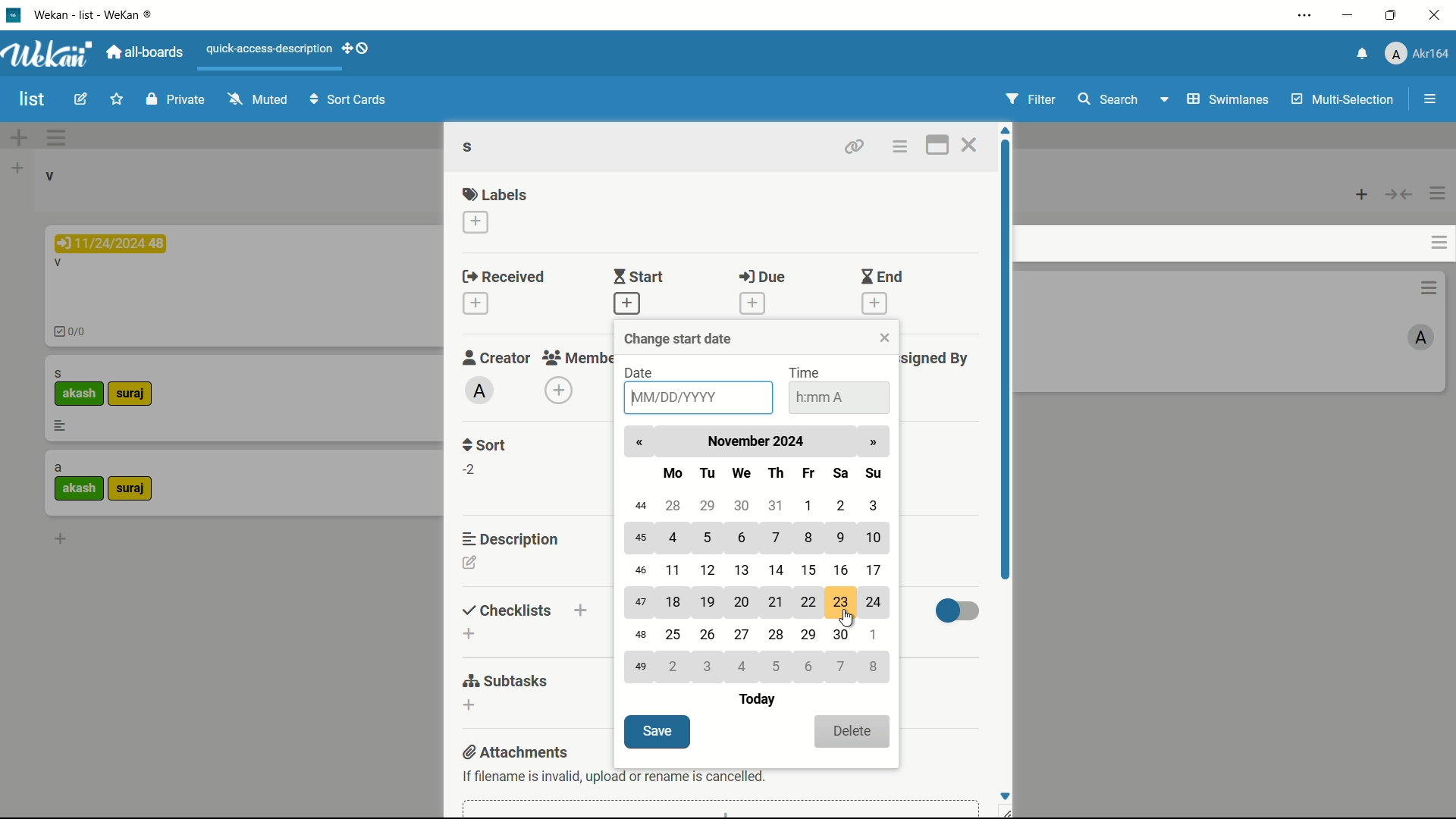  I want to click on save, so click(657, 732).